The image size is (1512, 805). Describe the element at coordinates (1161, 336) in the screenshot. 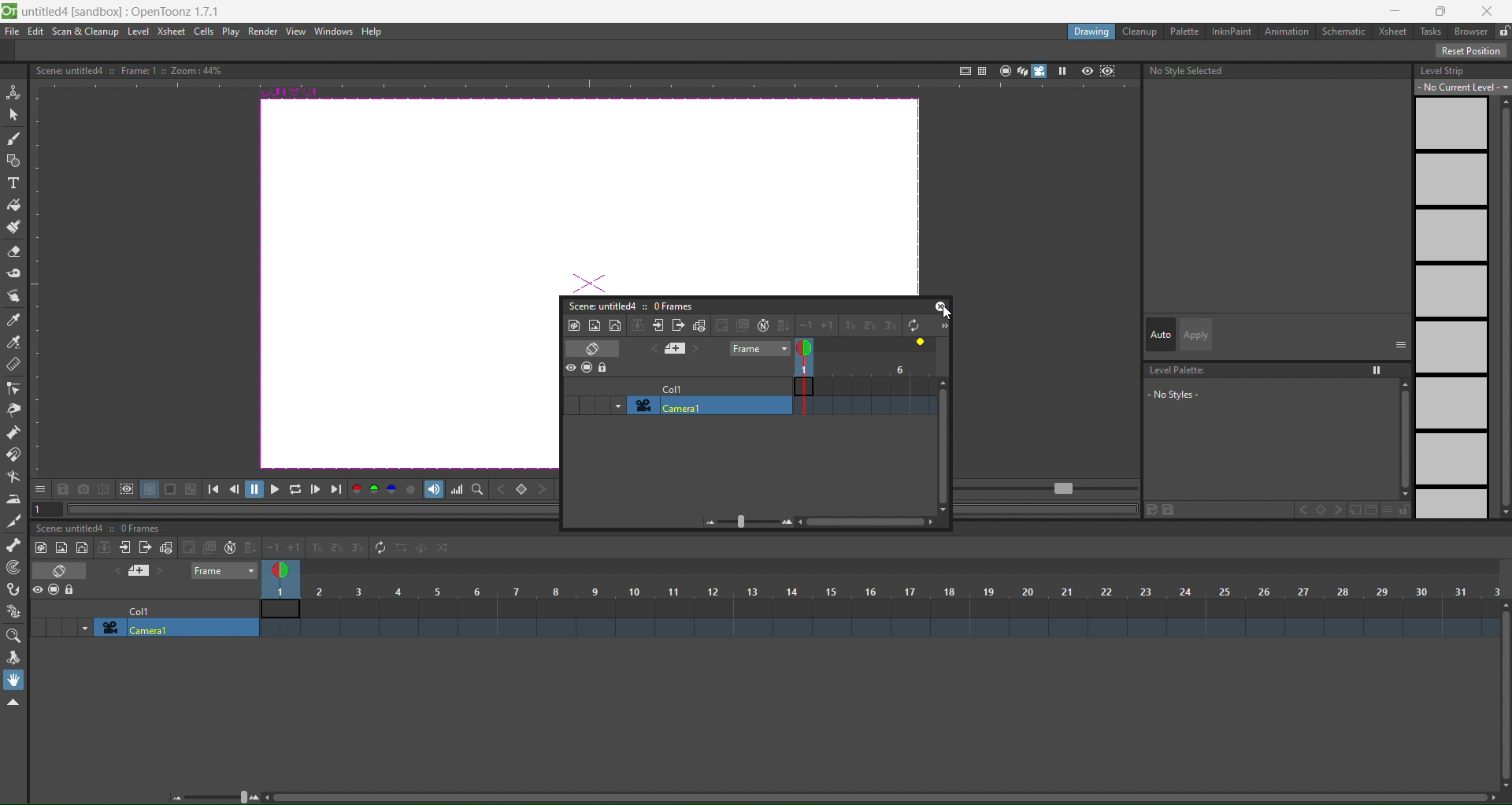

I see `auto` at that location.